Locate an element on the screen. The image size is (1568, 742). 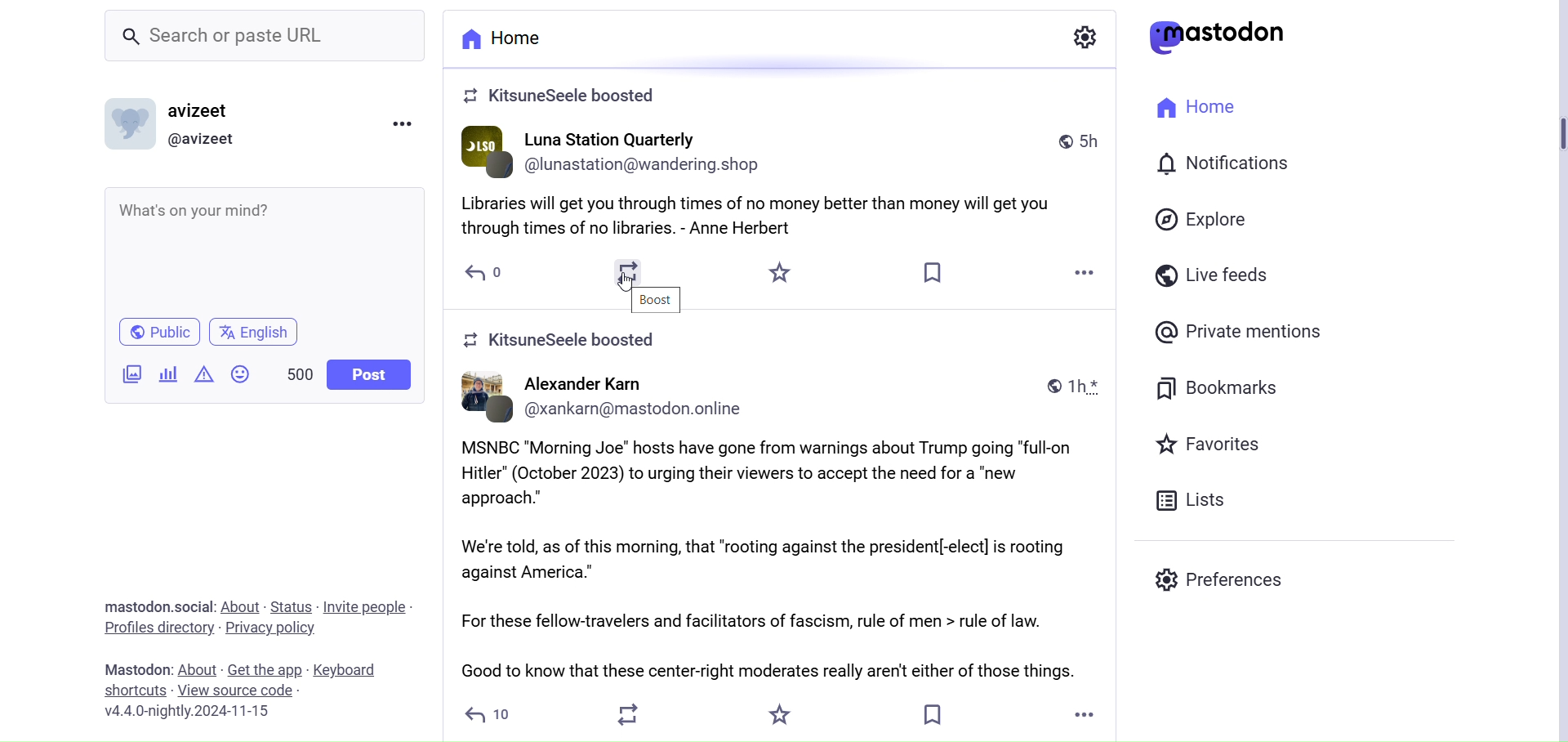
Home is located at coordinates (1205, 108).